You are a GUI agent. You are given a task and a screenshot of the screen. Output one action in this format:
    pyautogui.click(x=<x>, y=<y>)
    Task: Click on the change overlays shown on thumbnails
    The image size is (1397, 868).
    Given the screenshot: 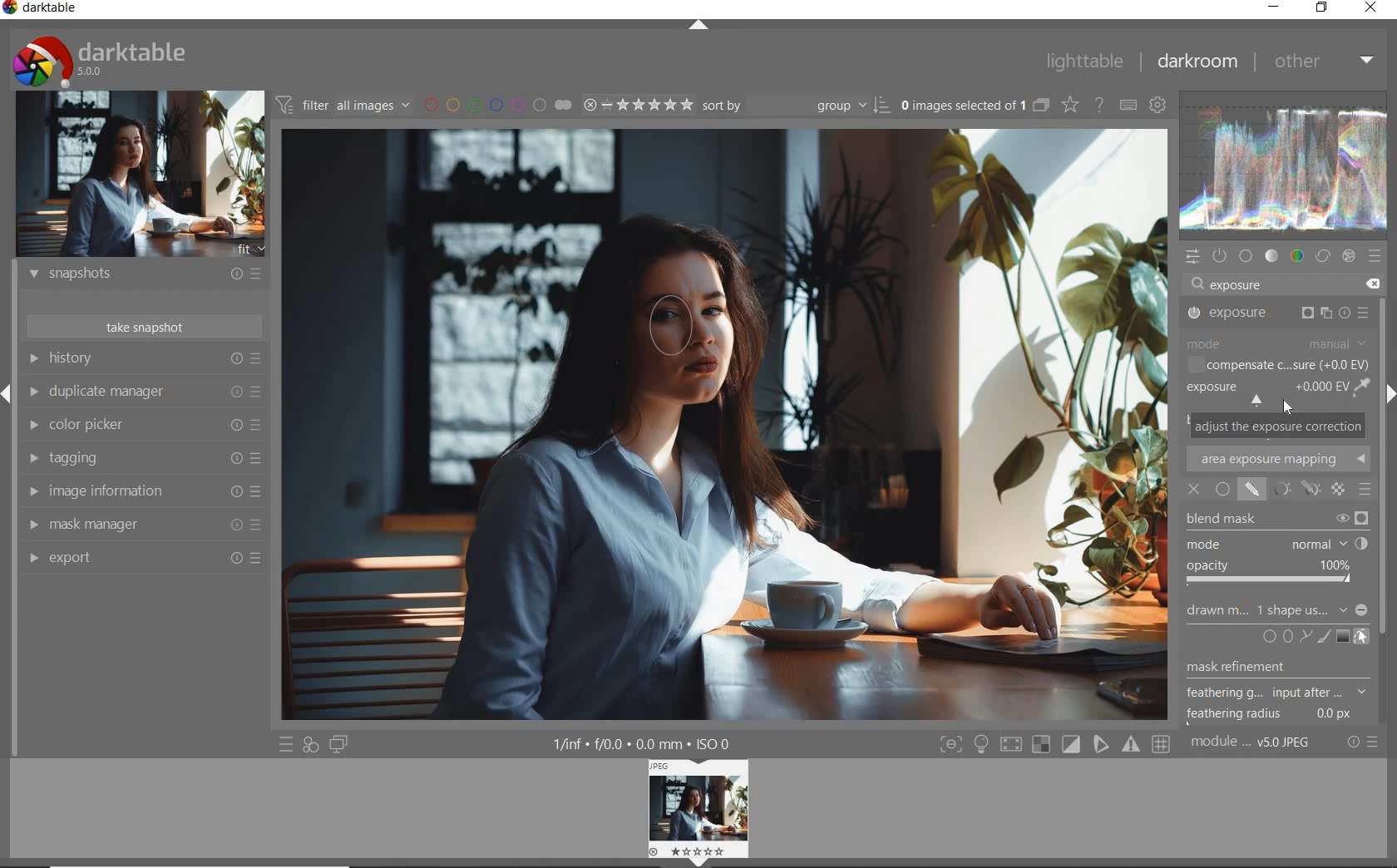 What is the action you would take?
    pyautogui.click(x=1069, y=104)
    